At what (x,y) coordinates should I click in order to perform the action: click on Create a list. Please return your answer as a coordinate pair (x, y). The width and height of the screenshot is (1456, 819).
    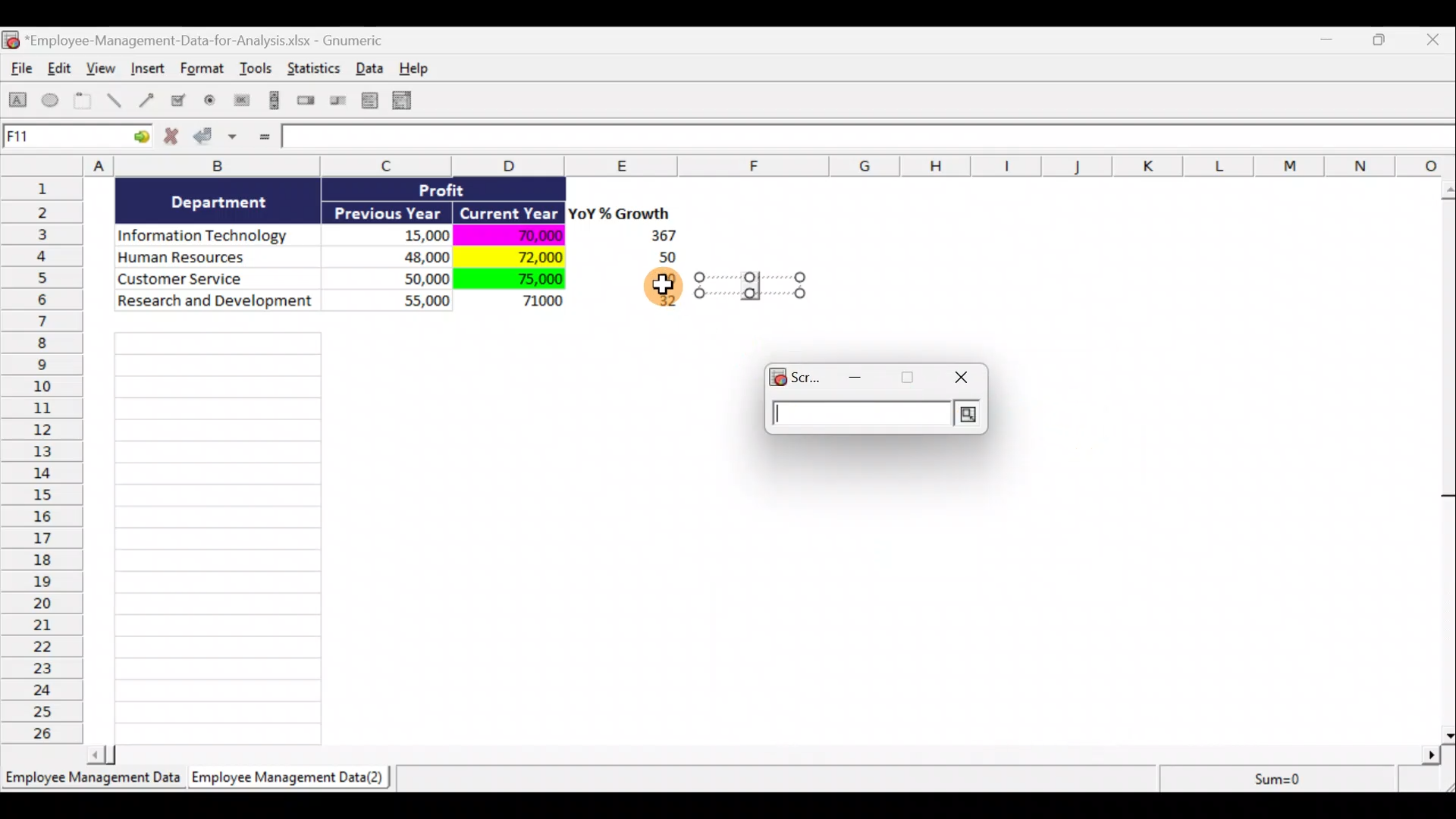
    Looking at the image, I should click on (366, 100).